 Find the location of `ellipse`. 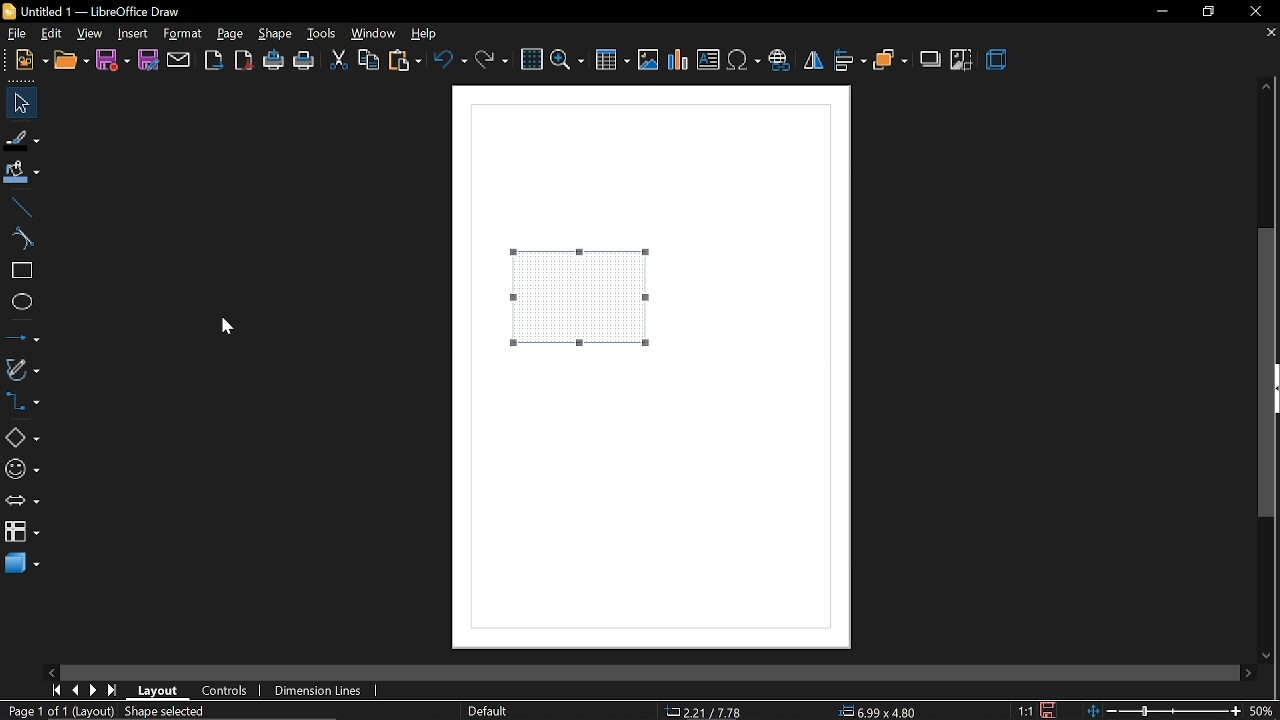

ellipse is located at coordinates (20, 302).